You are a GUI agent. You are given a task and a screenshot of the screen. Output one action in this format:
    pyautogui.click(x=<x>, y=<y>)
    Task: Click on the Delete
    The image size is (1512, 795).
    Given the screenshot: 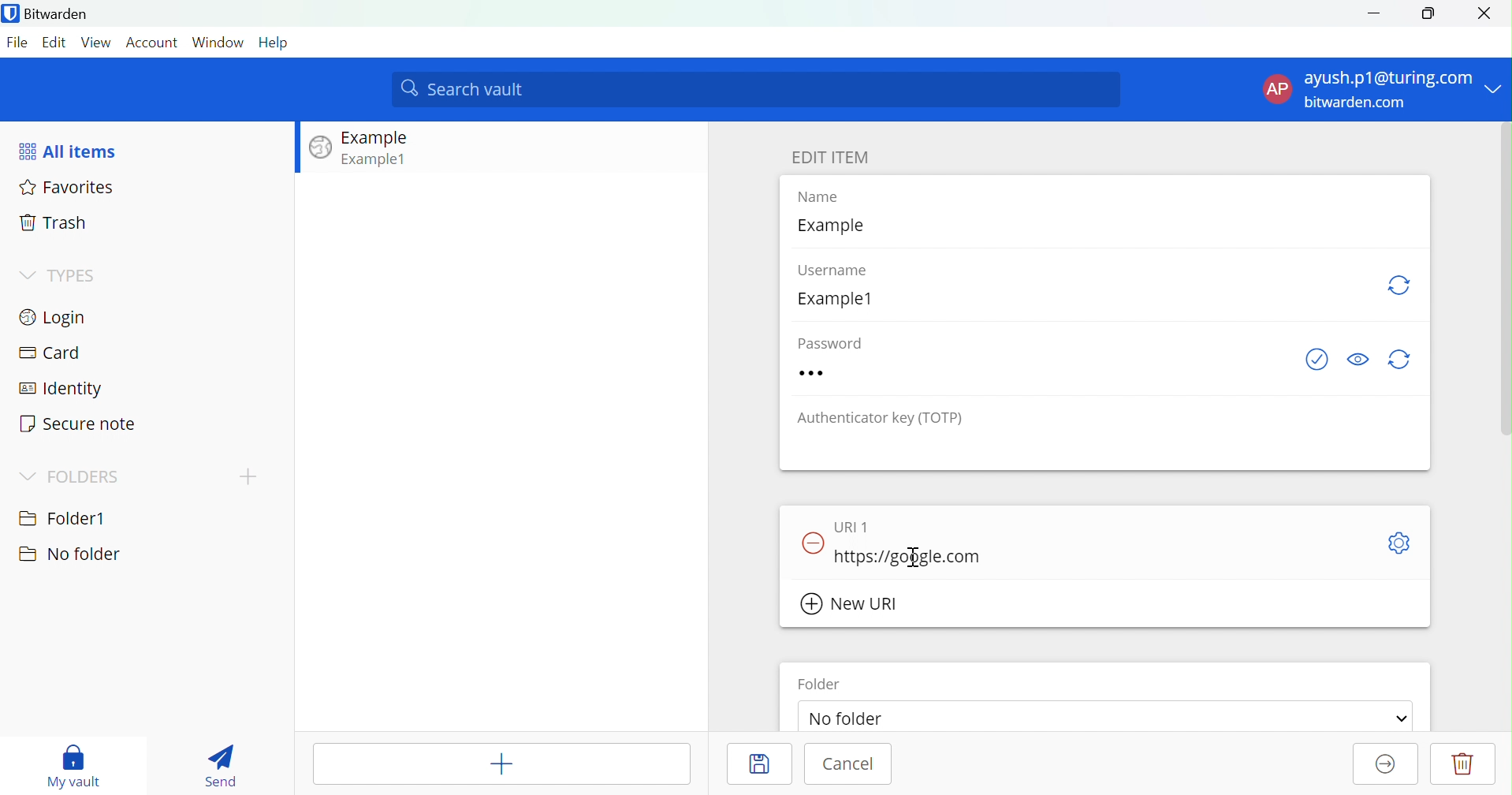 What is the action you would take?
    pyautogui.click(x=1463, y=763)
    